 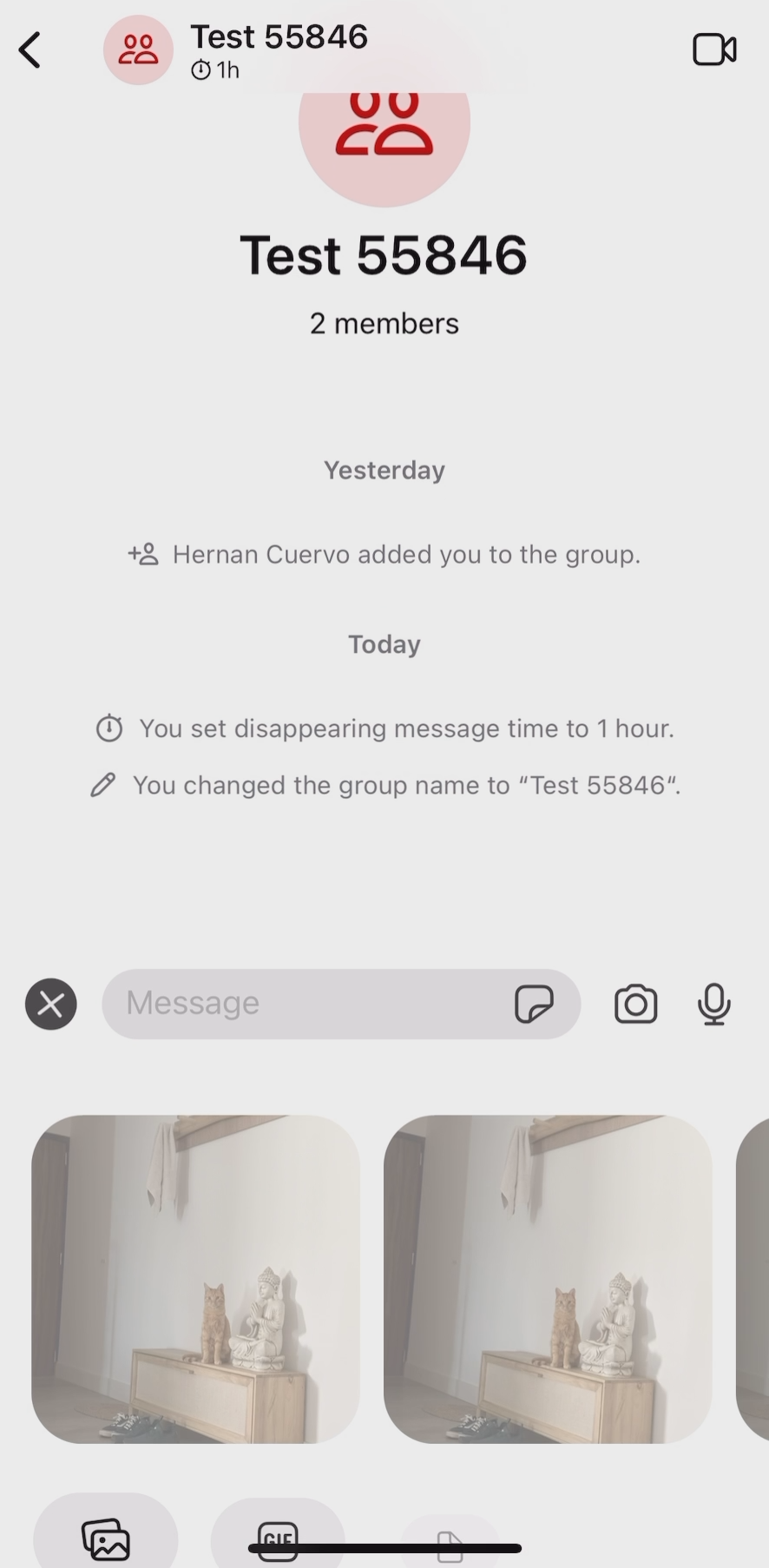 What do you see at coordinates (106, 1525) in the screenshot?
I see `images button` at bounding box center [106, 1525].